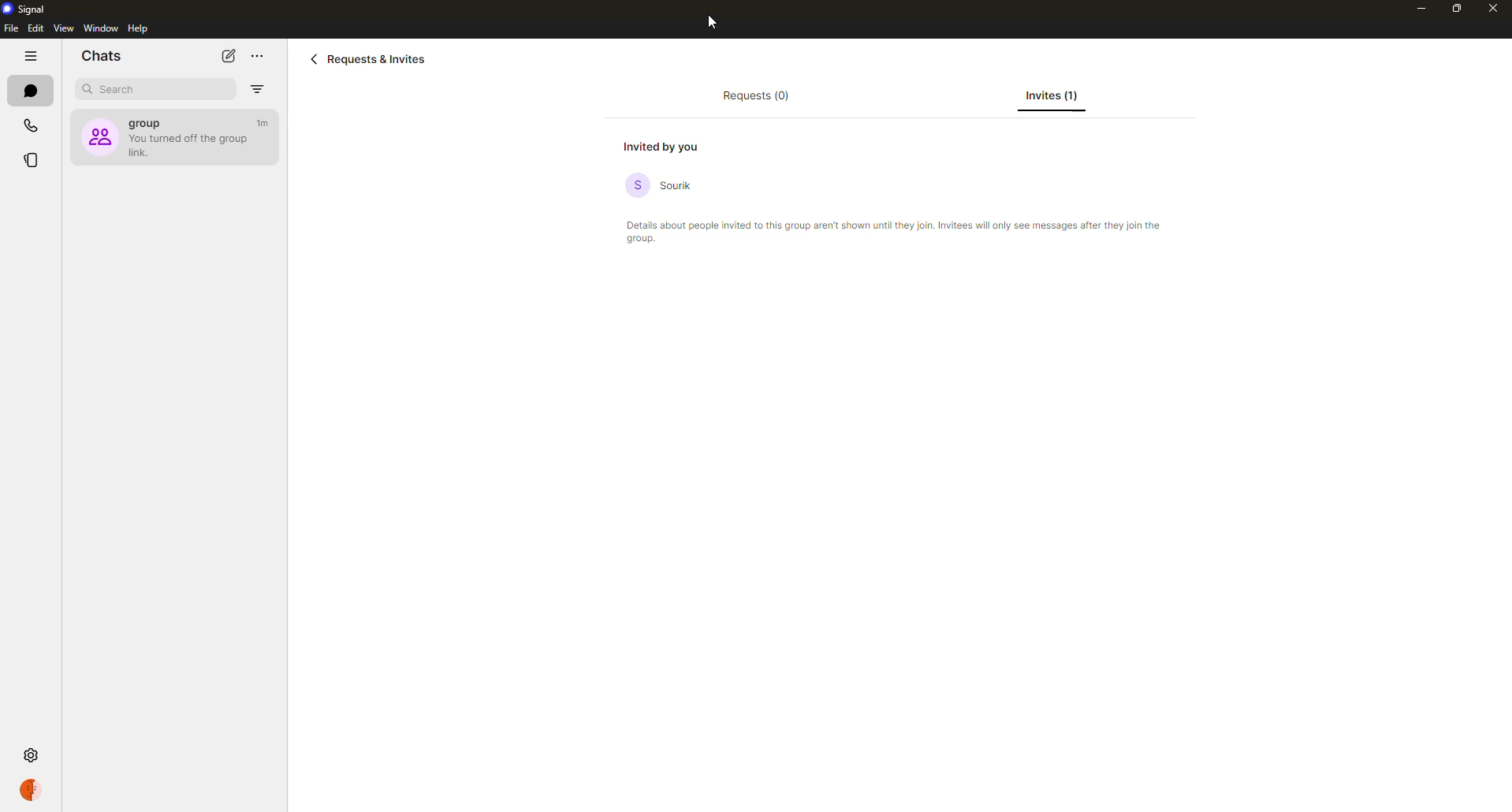 The height and width of the screenshot is (812, 1512). What do you see at coordinates (229, 56) in the screenshot?
I see `new chat` at bounding box center [229, 56].